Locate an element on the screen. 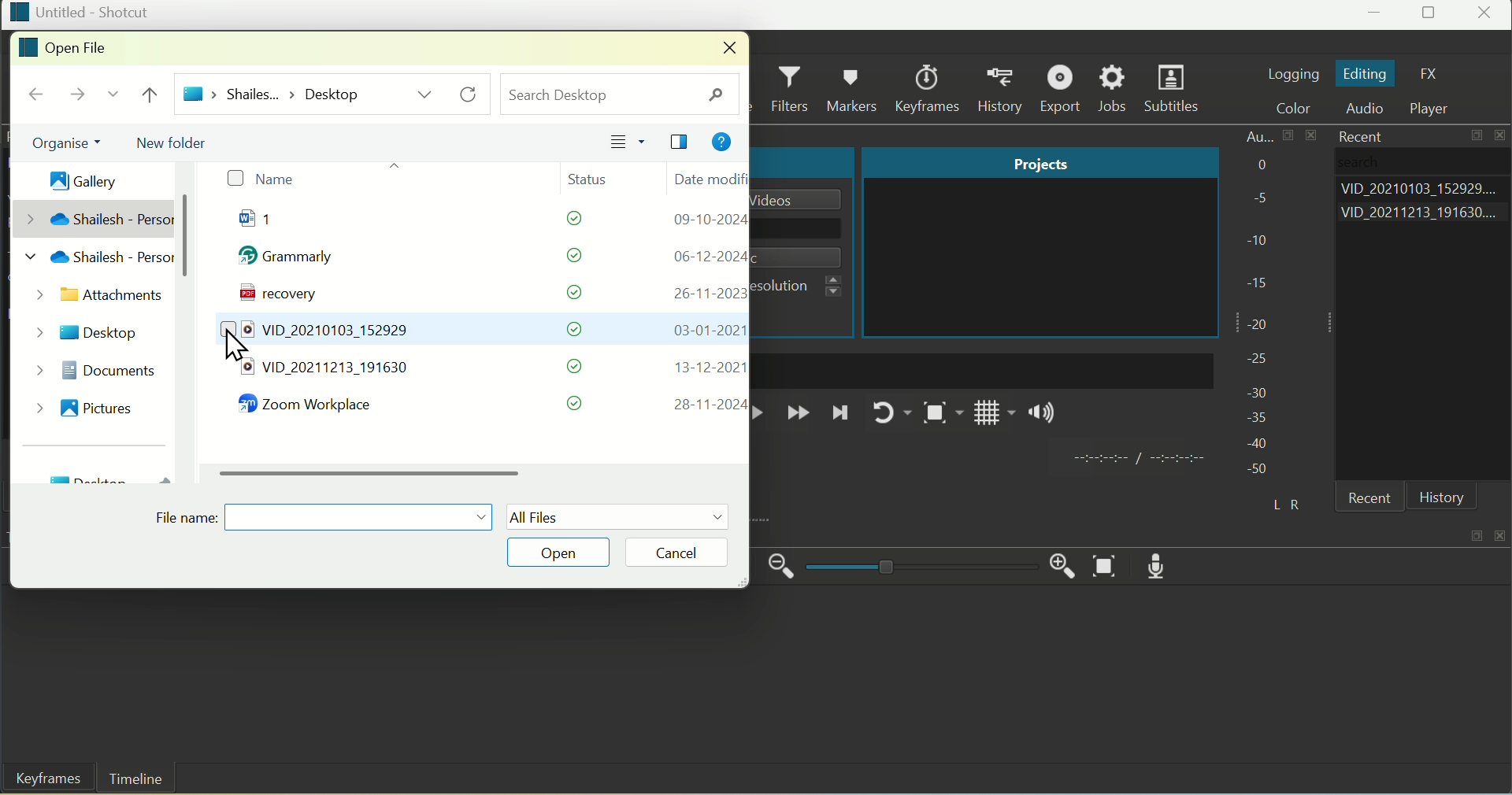 The width and height of the screenshot is (1512, 795). Attachments is located at coordinates (97, 297).